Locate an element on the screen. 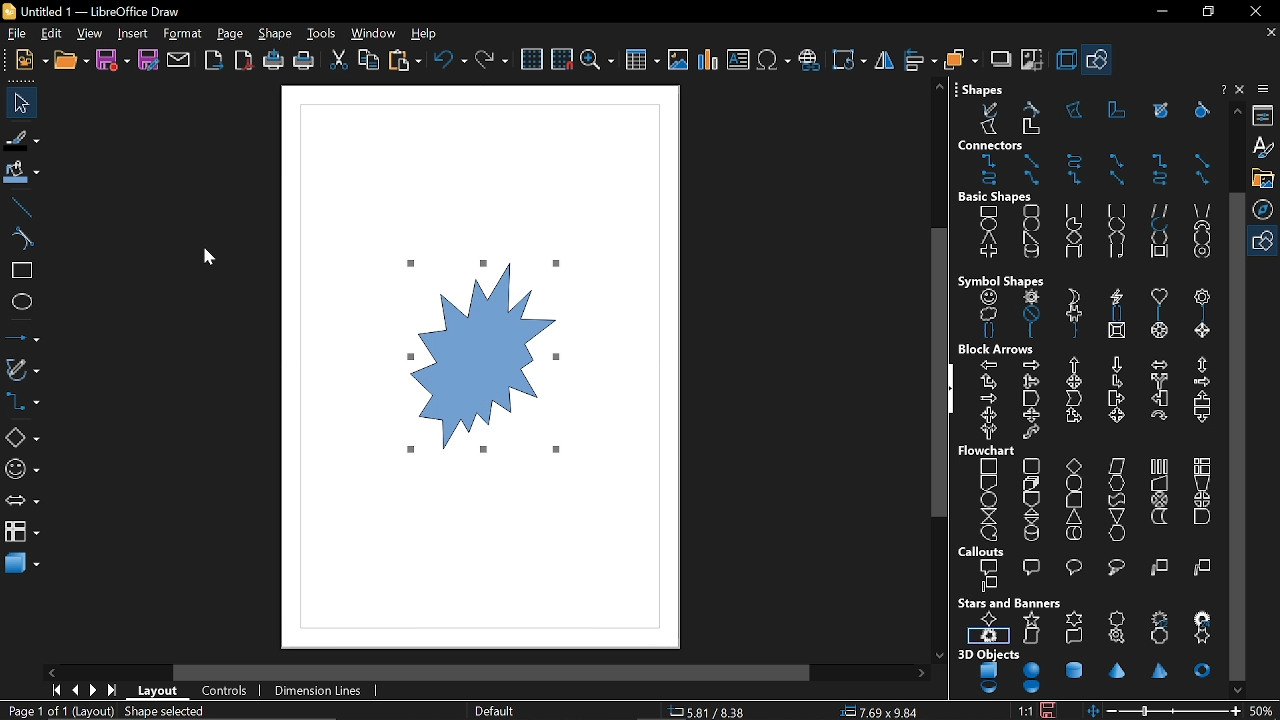  Untitled 1 - LibreOffice Draw is located at coordinates (95, 10).